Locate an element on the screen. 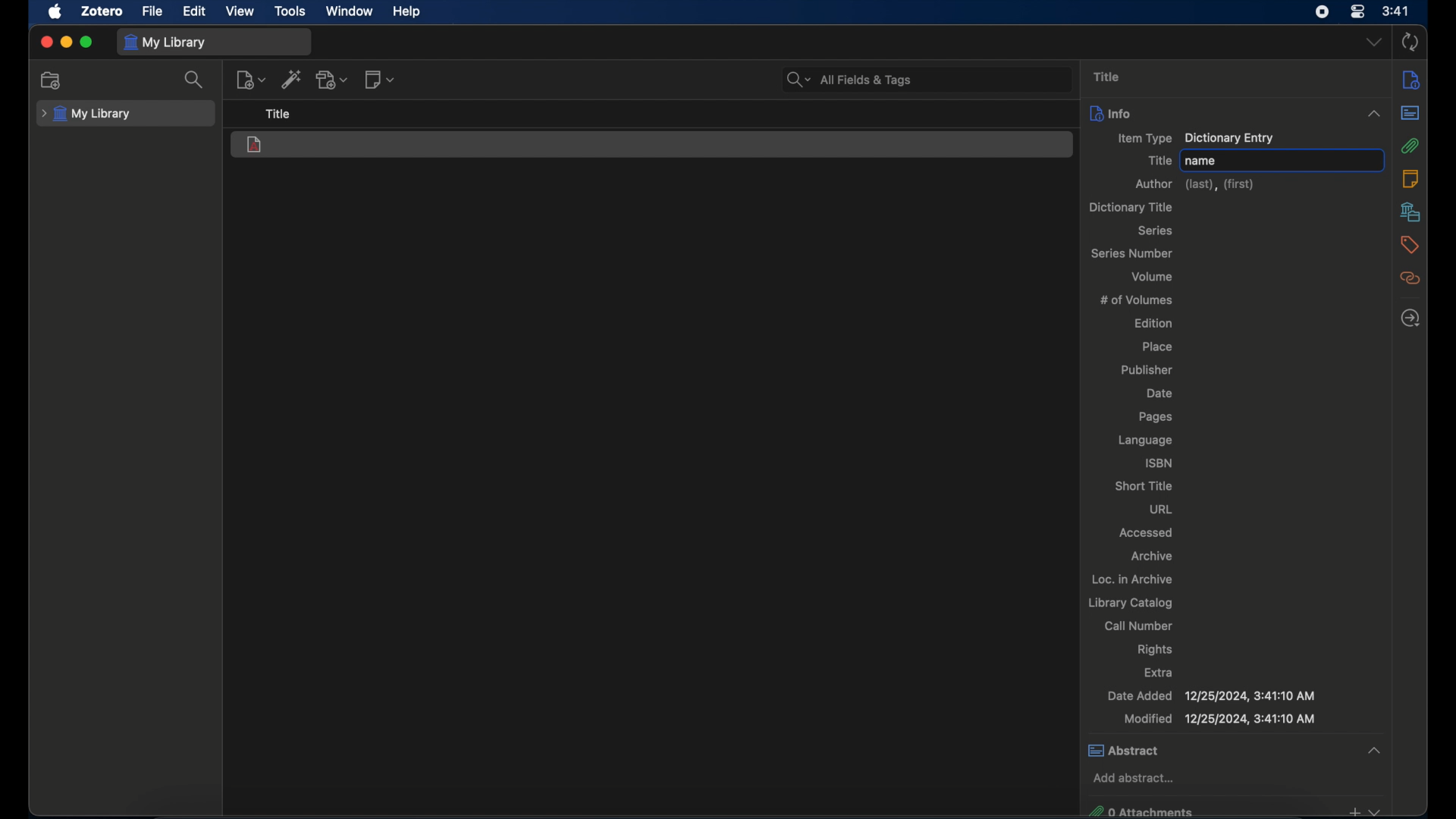  url is located at coordinates (1161, 509).